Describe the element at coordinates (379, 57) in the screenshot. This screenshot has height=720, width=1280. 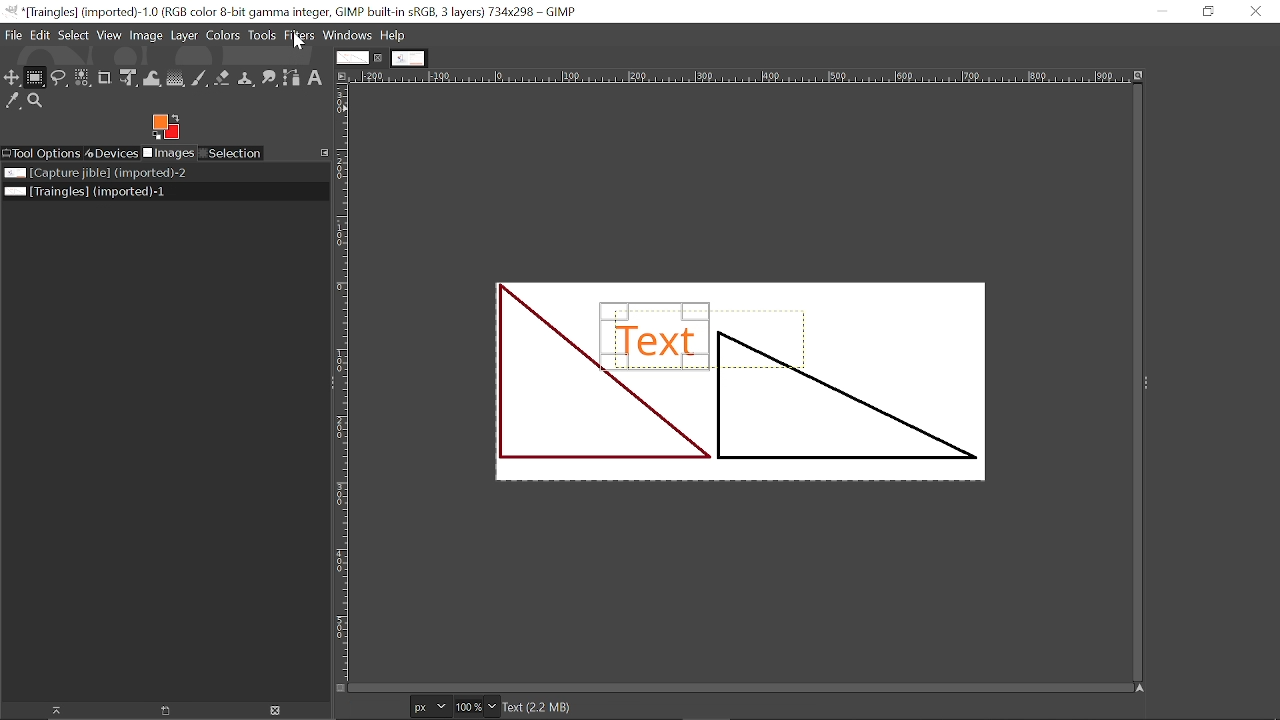
I see `Close current tab` at that location.